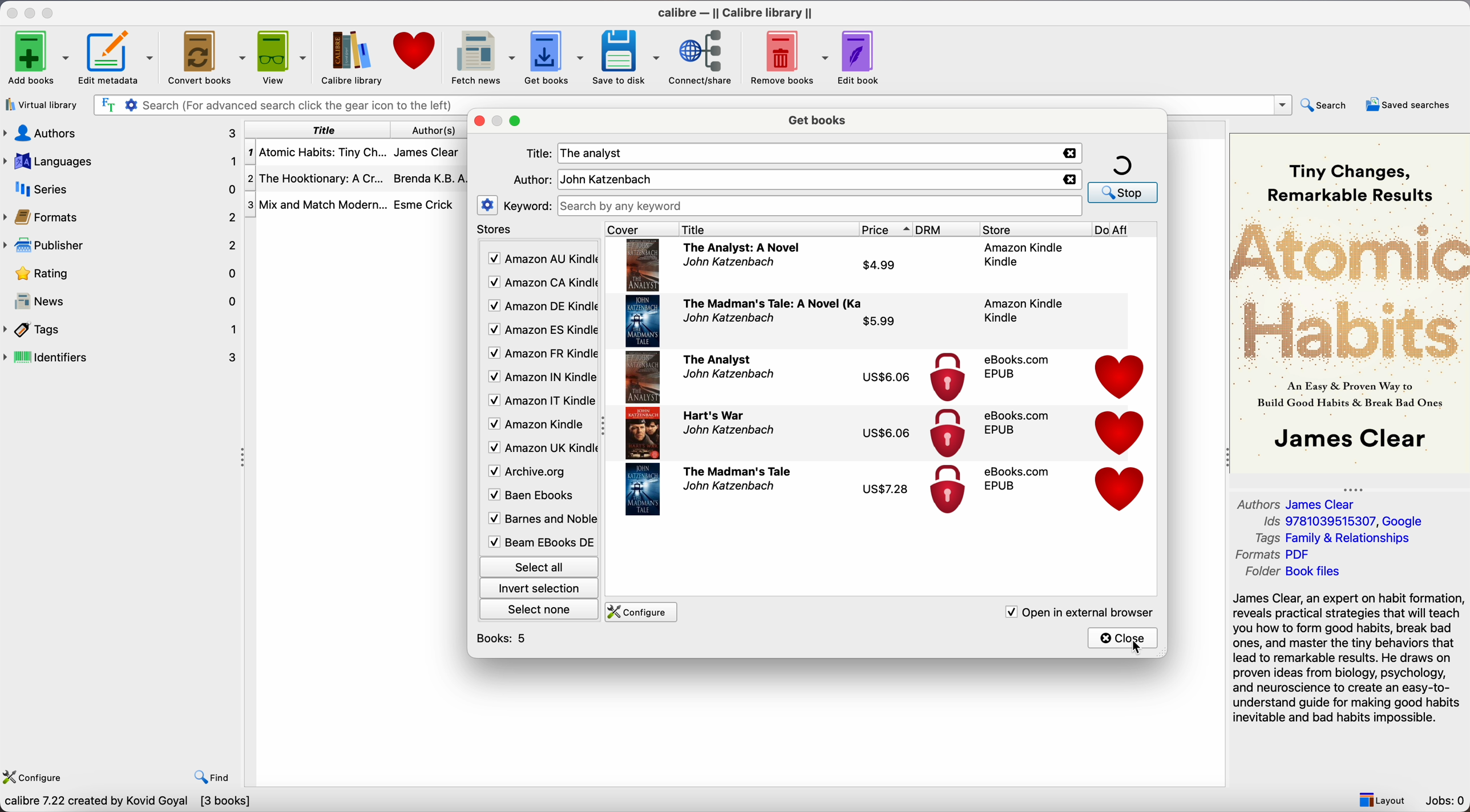 Image resolution: width=1470 pixels, height=812 pixels. I want to click on maximize, so click(50, 11).